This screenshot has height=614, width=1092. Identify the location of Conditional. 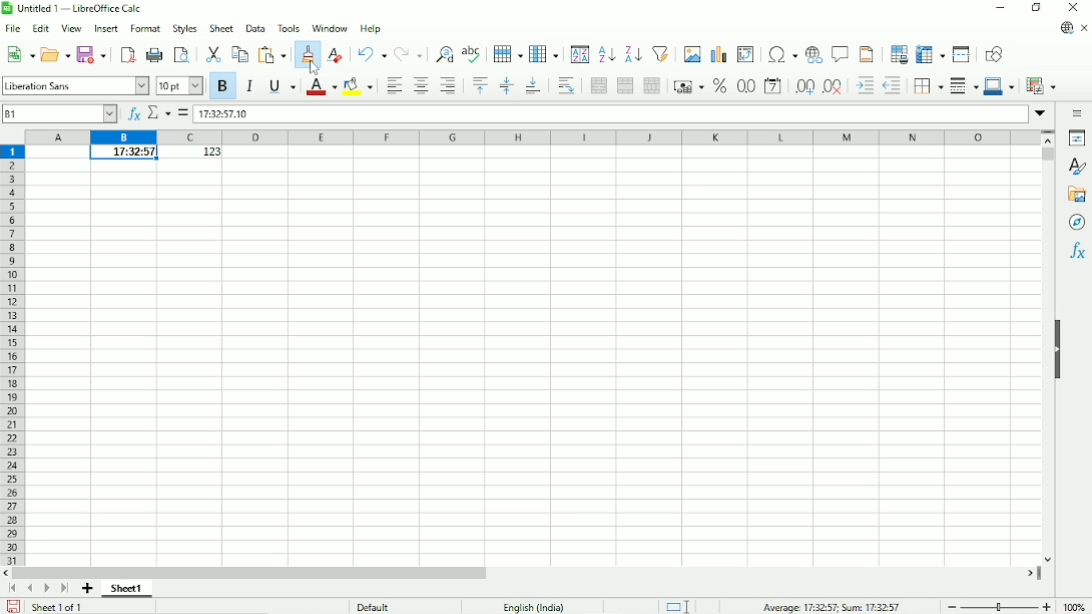
(1043, 84).